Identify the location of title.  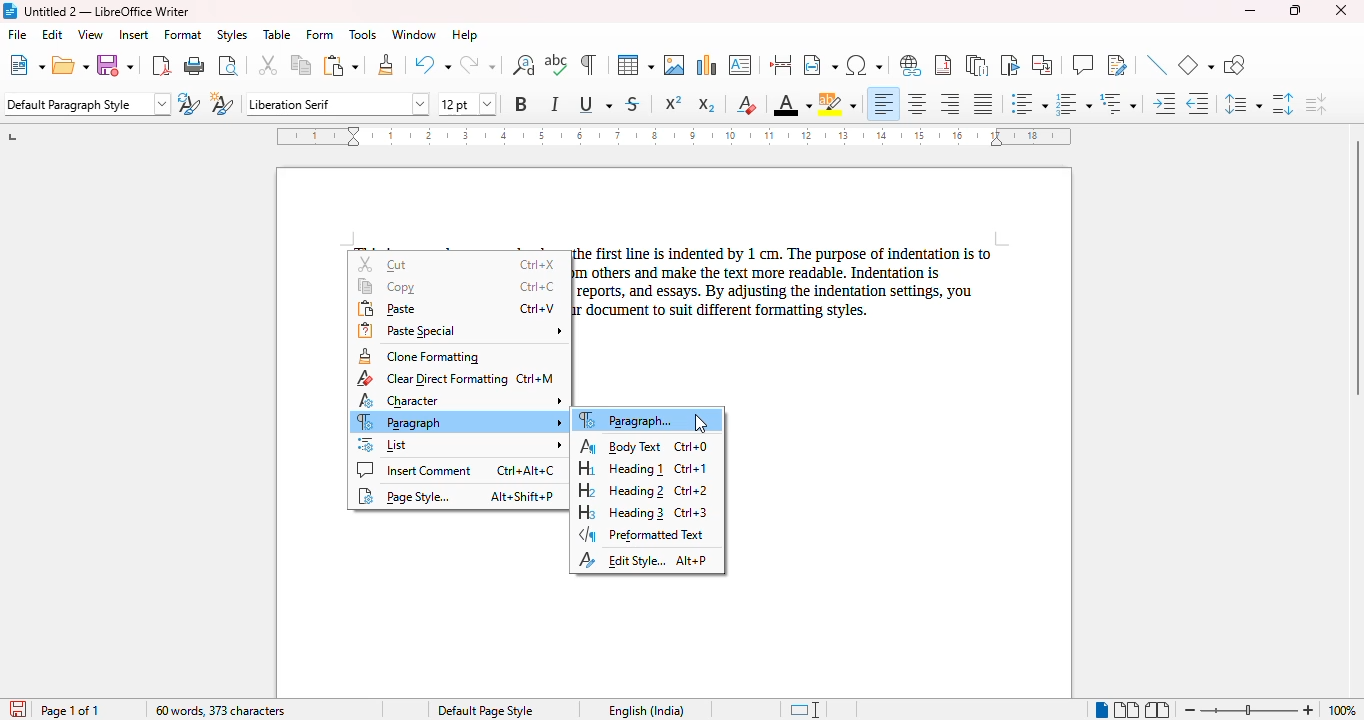
(106, 10).